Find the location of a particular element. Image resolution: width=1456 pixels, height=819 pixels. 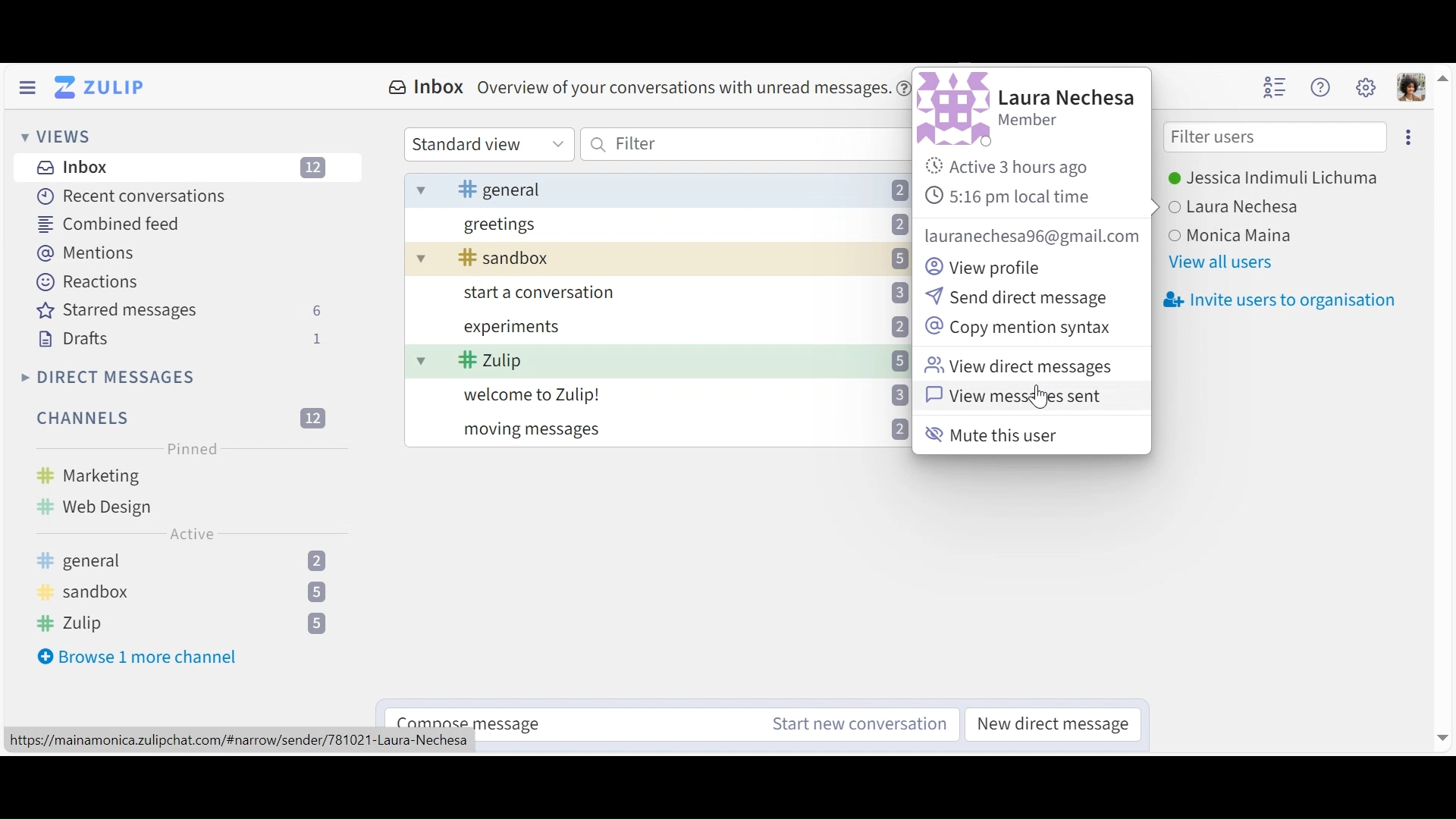

View messages sent is located at coordinates (1018, 397).